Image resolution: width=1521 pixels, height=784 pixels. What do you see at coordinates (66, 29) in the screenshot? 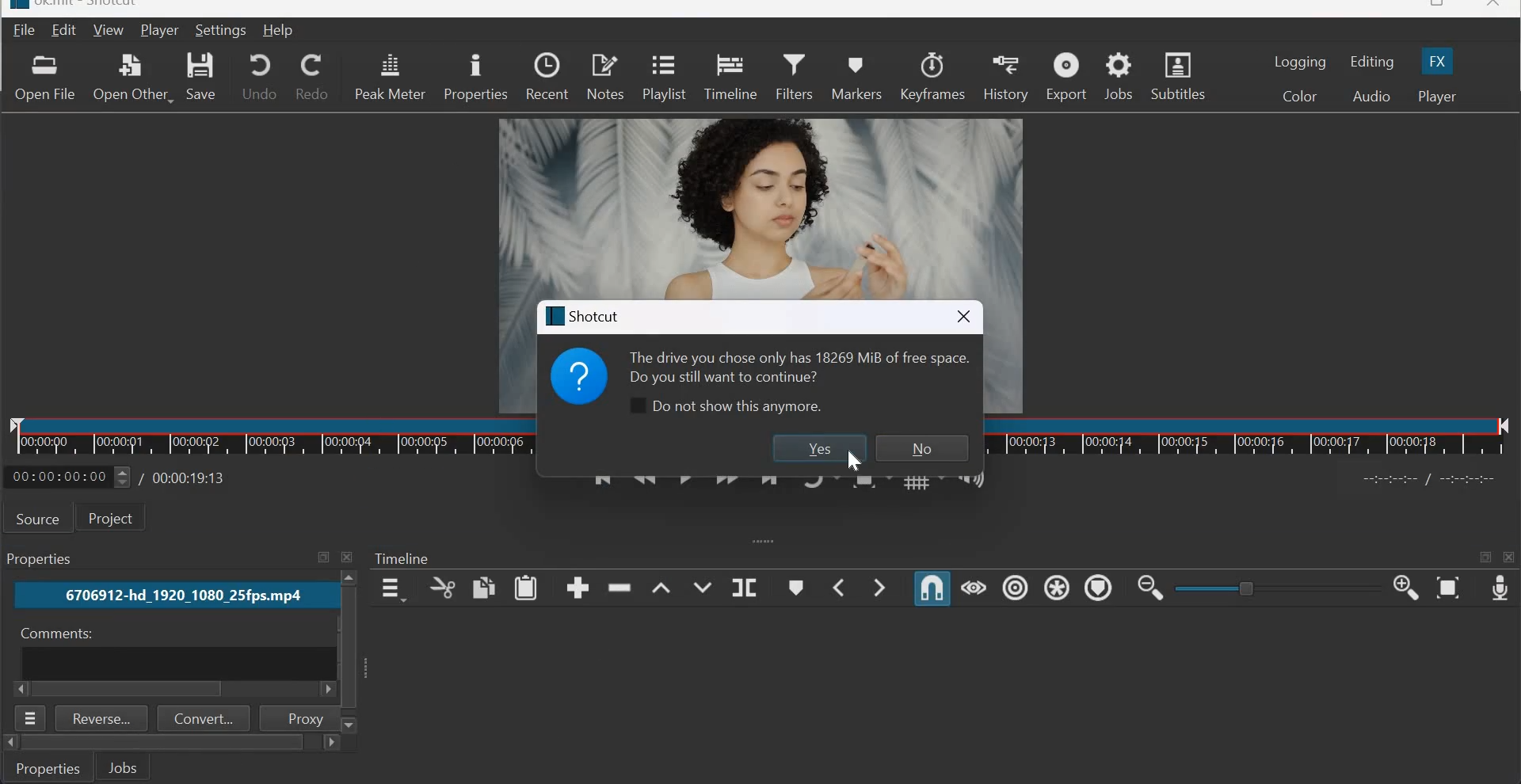
I see `Edit` at bounding box center [66, 29].